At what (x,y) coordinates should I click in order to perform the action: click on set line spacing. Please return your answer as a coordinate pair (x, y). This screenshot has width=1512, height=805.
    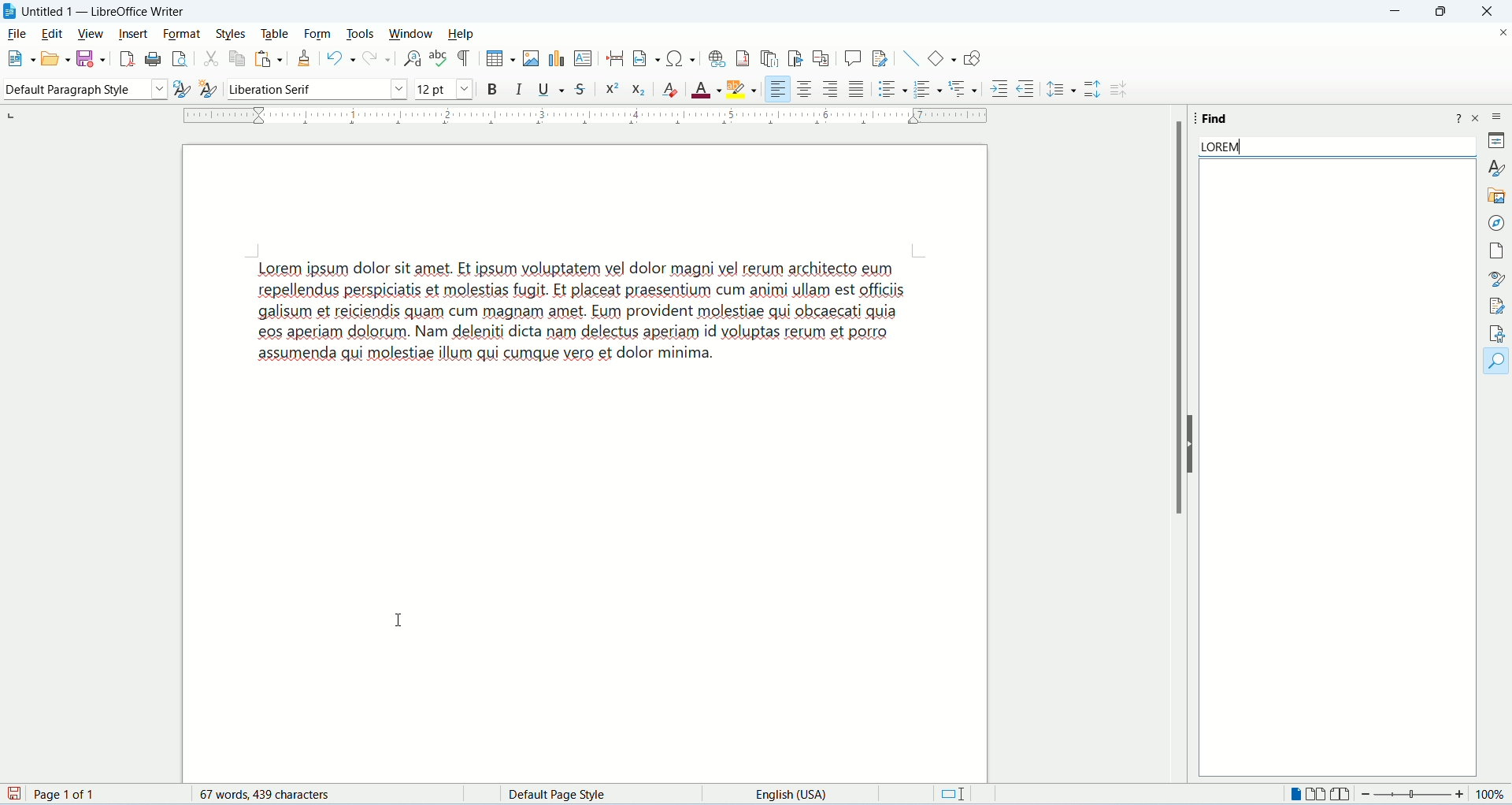
    Looking at the image, I should click on (1062, 88).